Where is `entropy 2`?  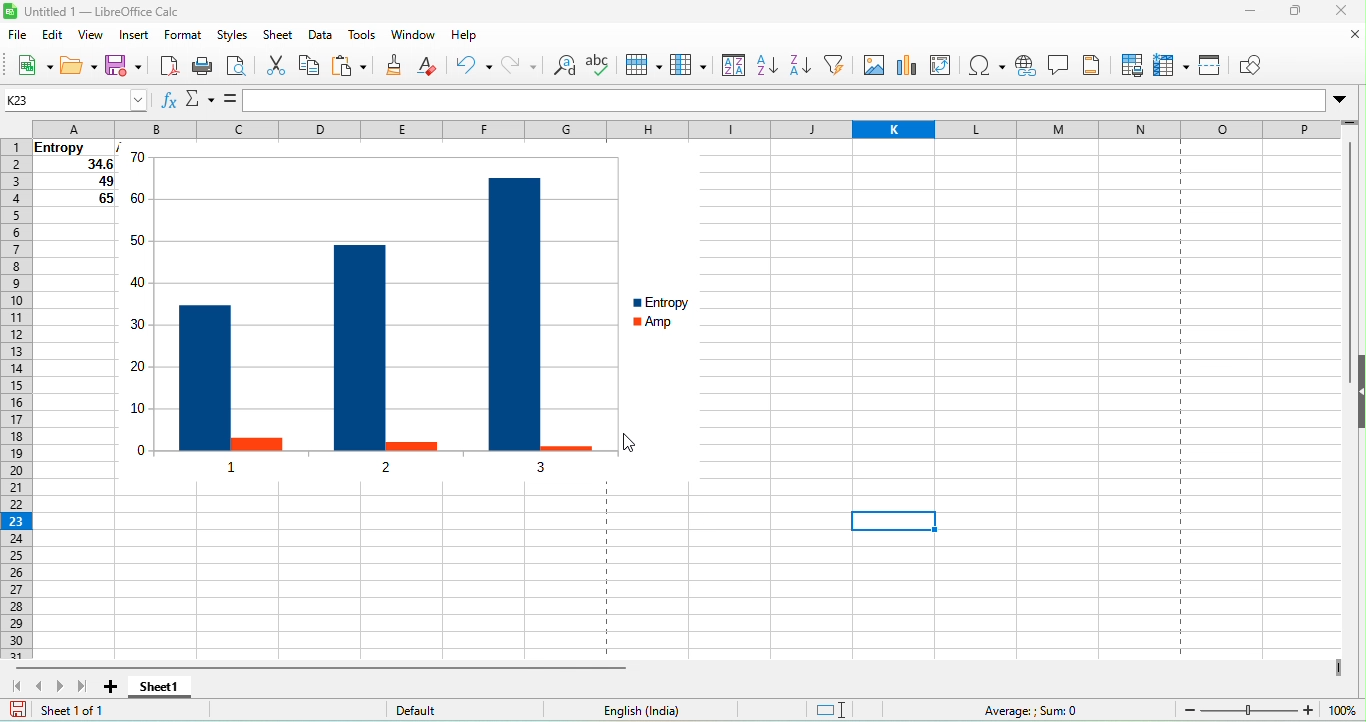 entropy 2 is located at coordinates (359, 348).